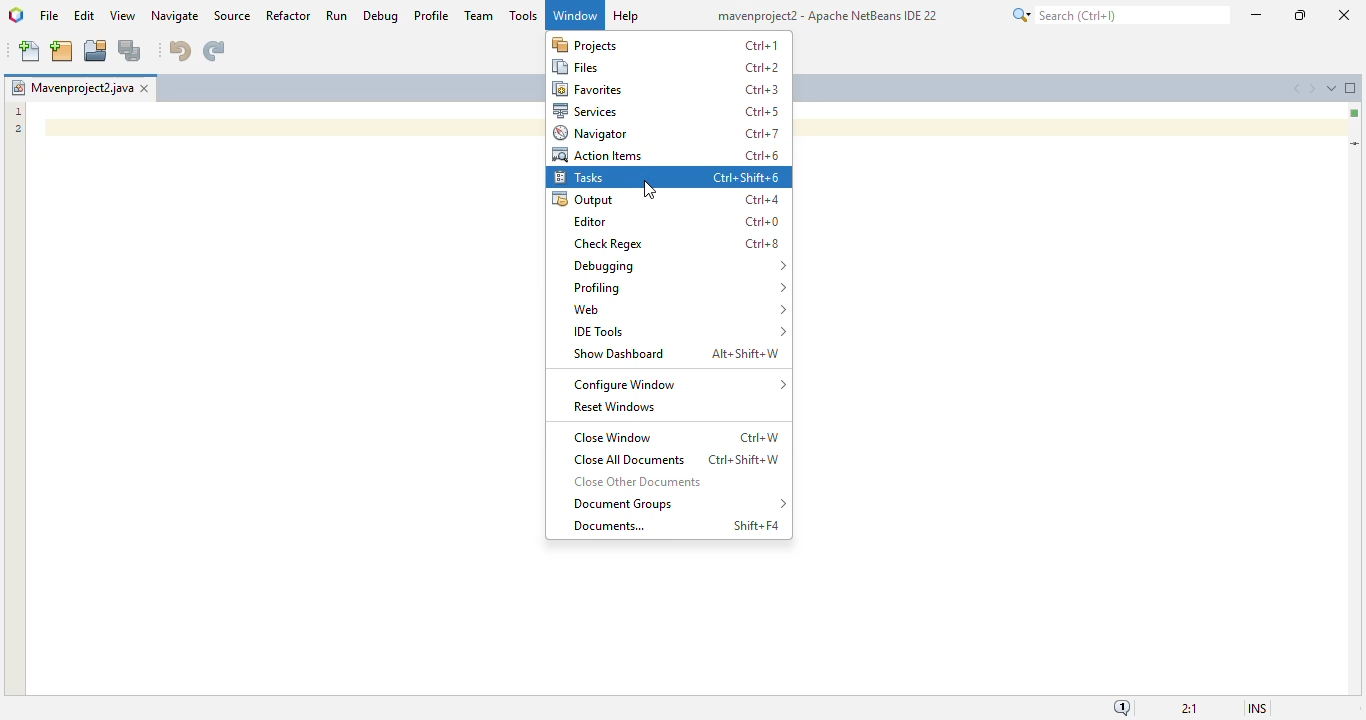 This screenshot has width=1366, height=720. What do you see at coordinates (1313, 89) in the screenshot?
I see `scroll documents right` at bounding box center [1313, 89].